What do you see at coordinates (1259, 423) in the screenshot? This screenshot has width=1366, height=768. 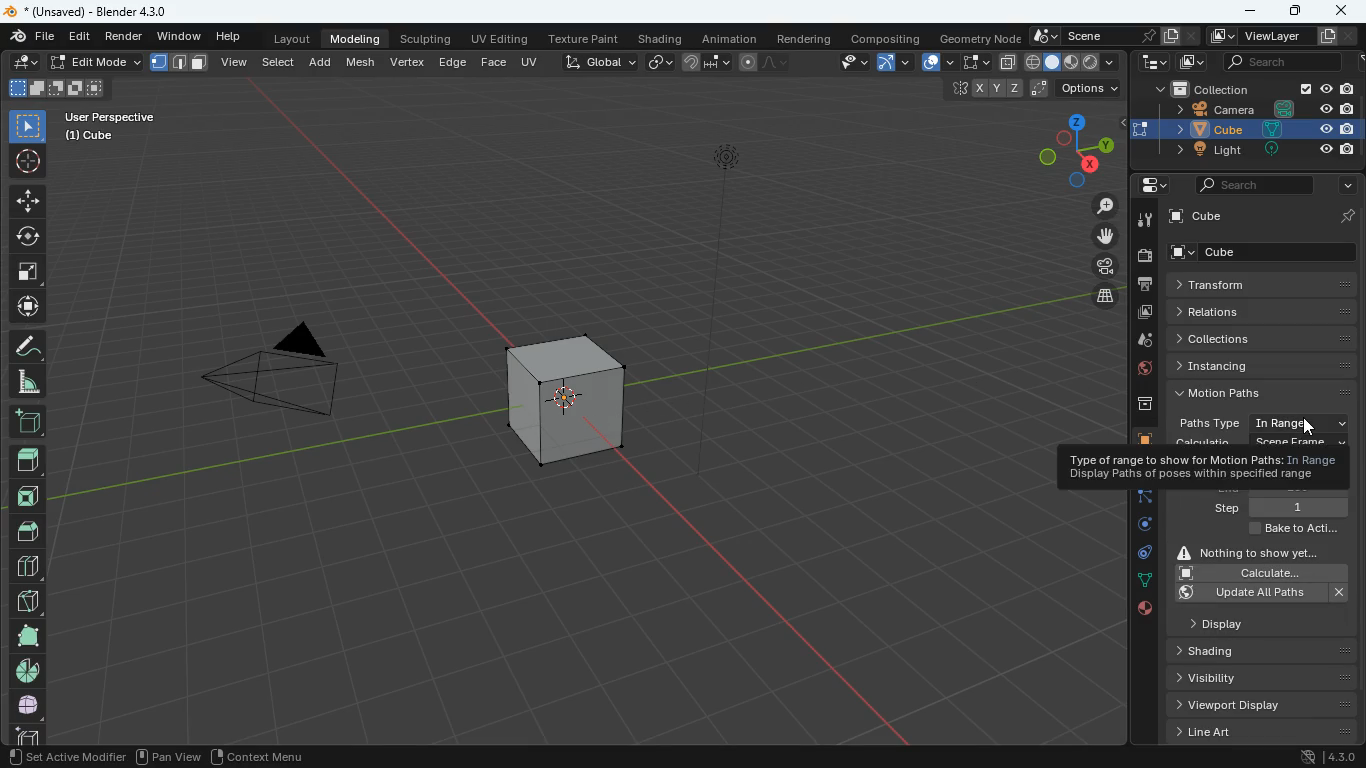 I see `paths type` at bounding box center [1259, 423].